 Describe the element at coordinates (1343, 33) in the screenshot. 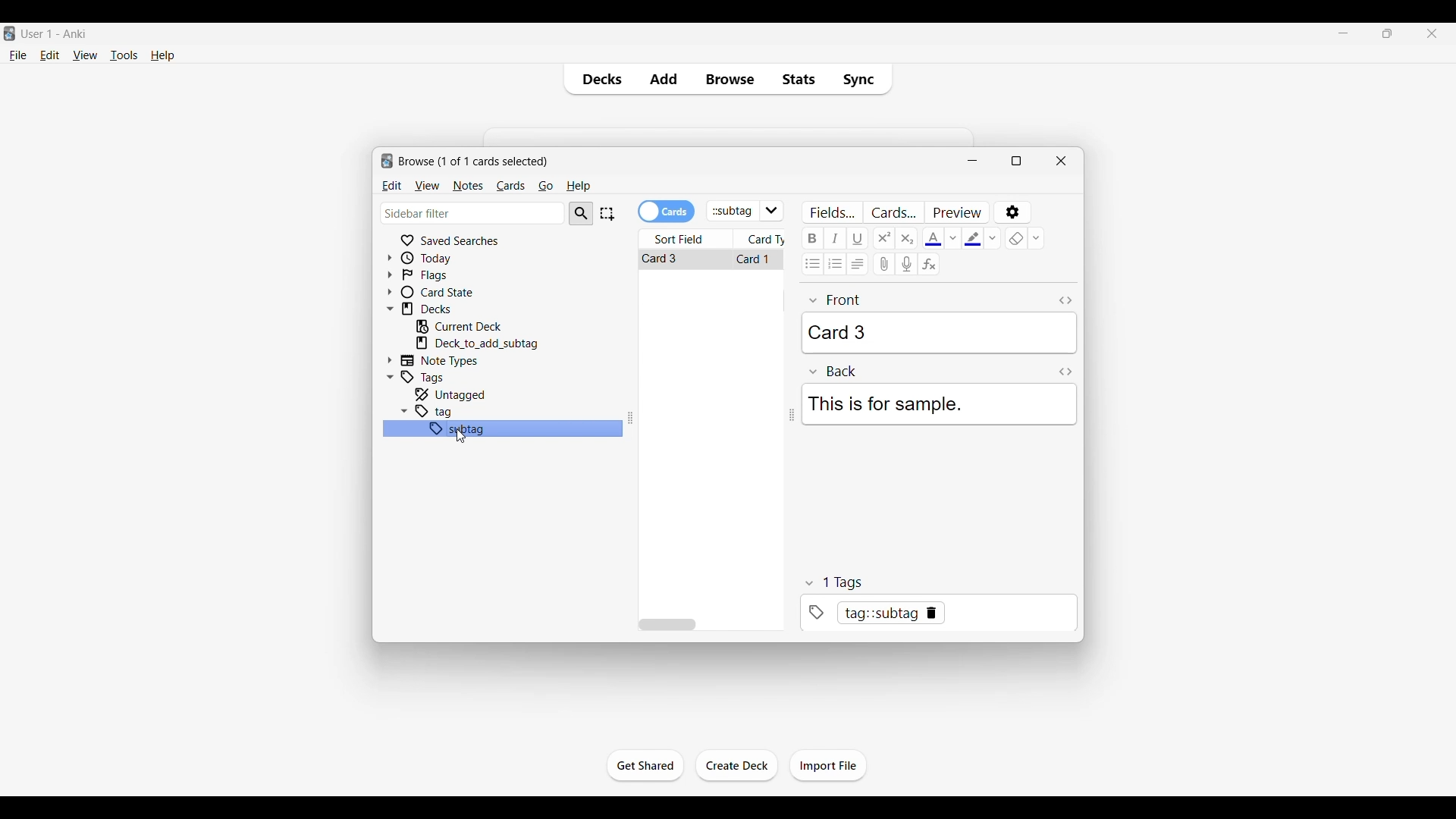

I see `Minimize` at that location.